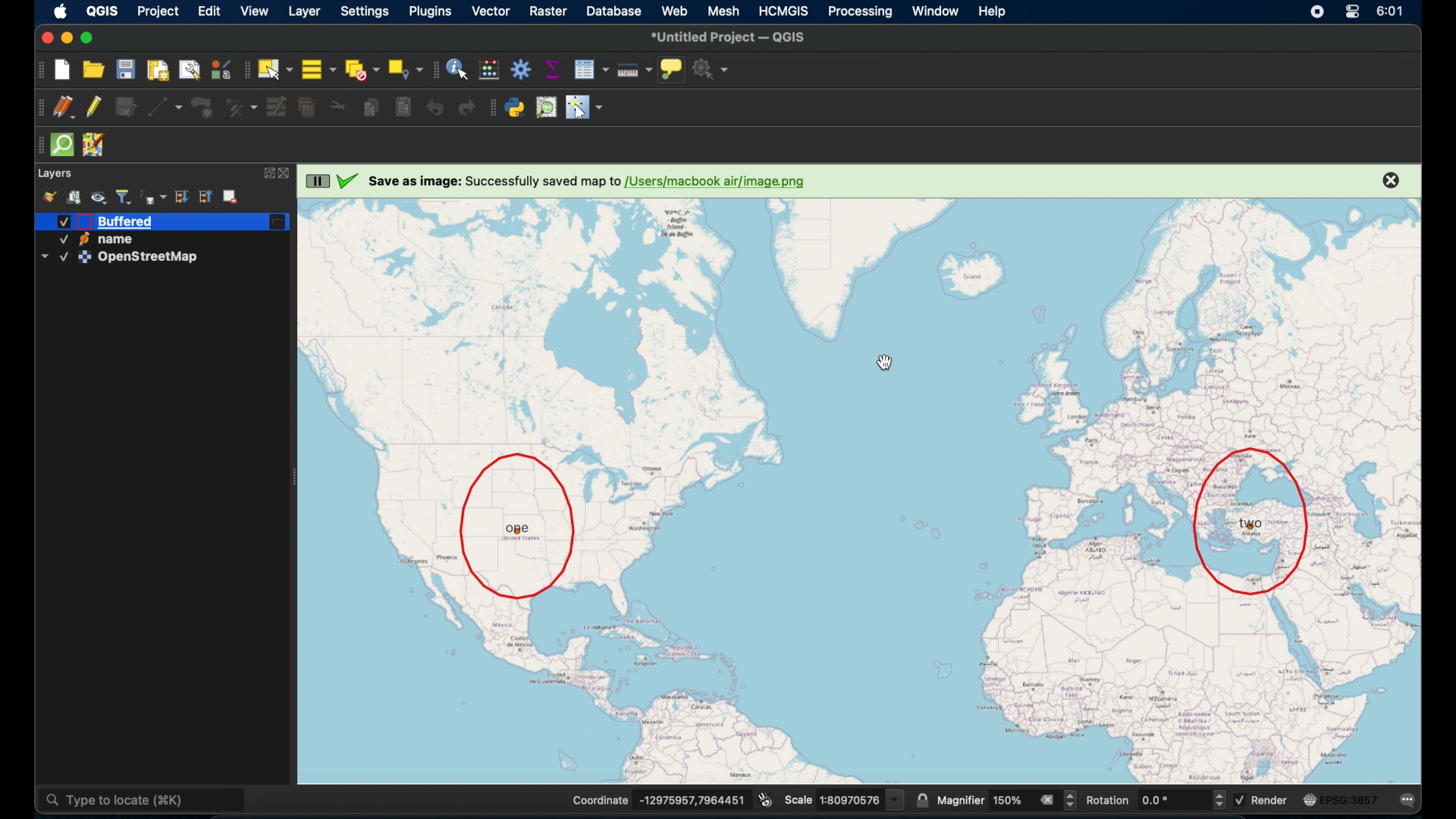 Image resolution: width=1456 pixels, height=819 pixels. What do you see at coordinates (545, 108) in the screenshot?
I see `osm place search` at bounding box center [545, 108].